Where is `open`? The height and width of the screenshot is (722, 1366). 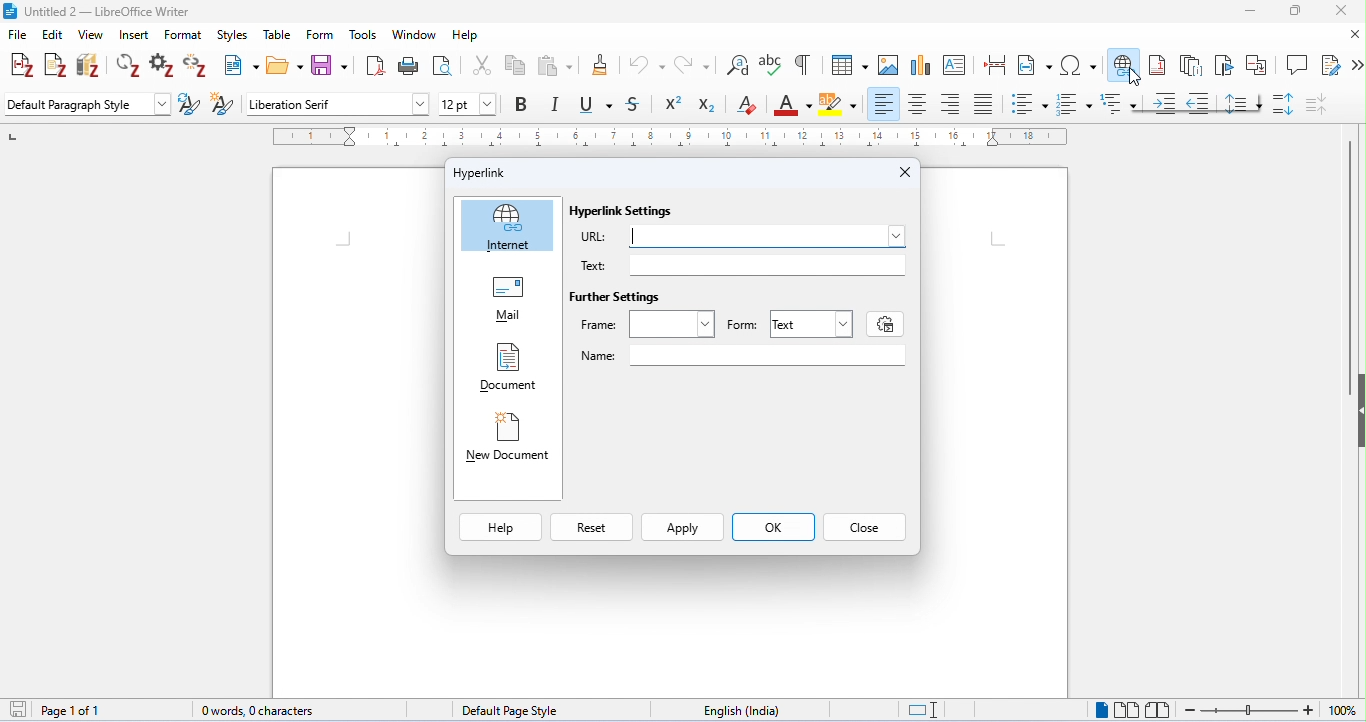
open is located at coordinates (284, 64).